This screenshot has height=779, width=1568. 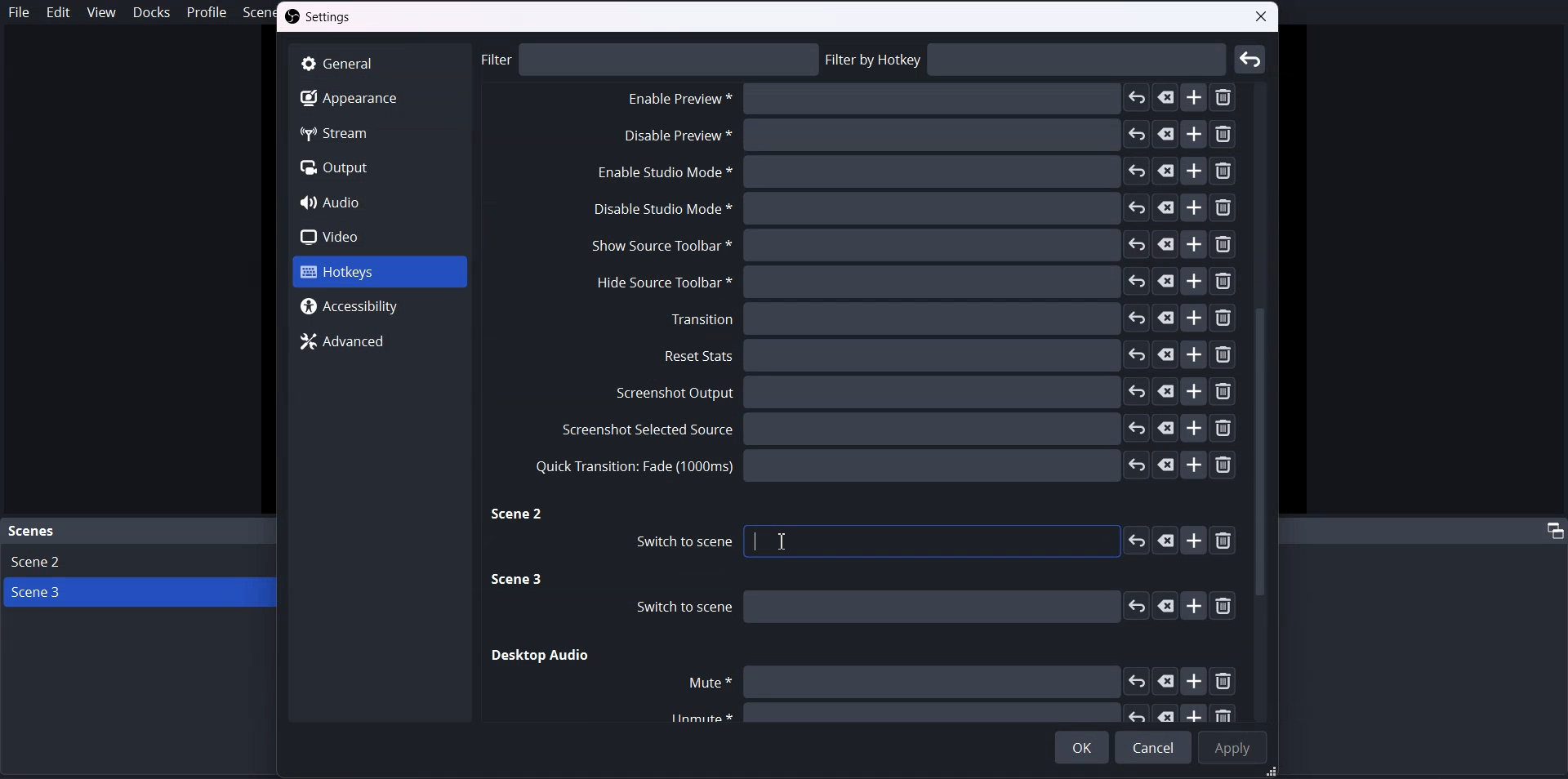 I want to click on Apperance, so click(x=377, y=97).